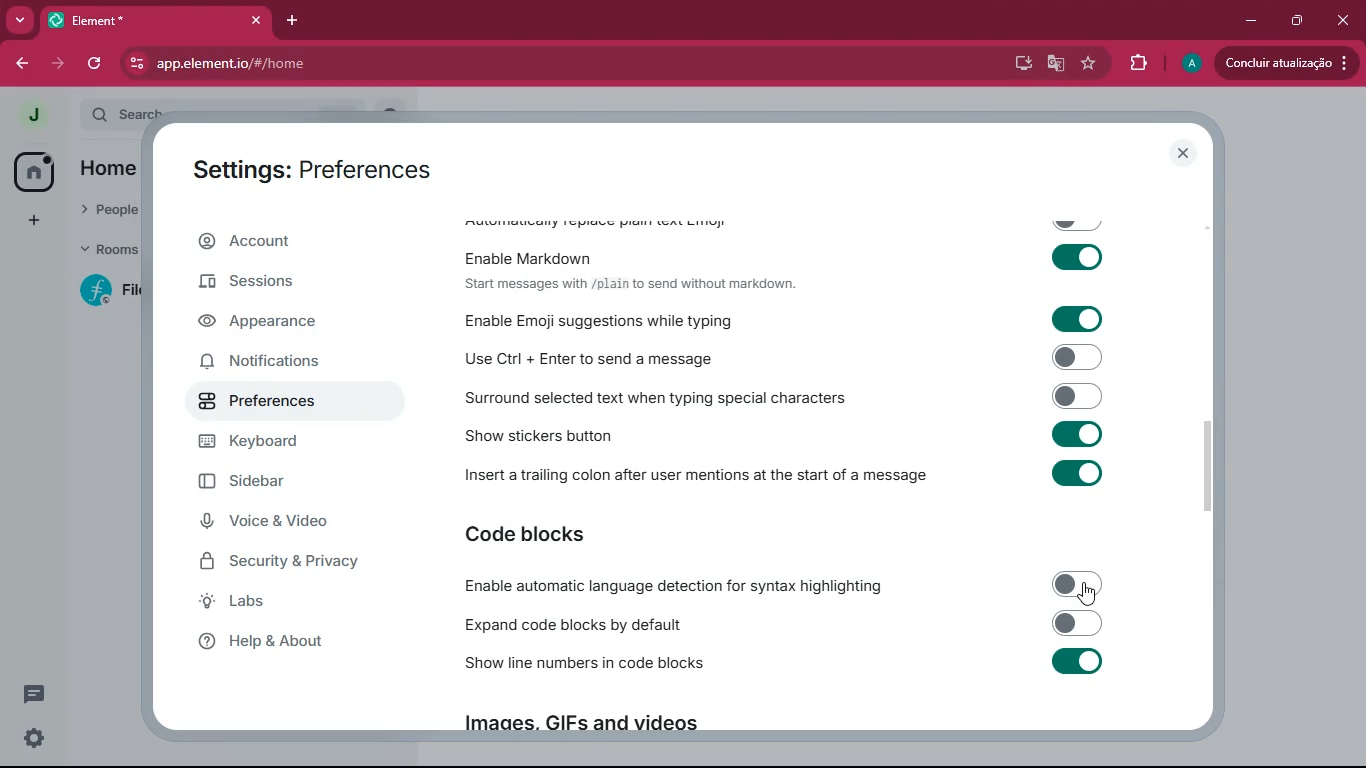 The height and width of the screenshot is (768, 1366). Describe the element at coordinates (286, 402) in the screenshot. I see `preferences` at that location.